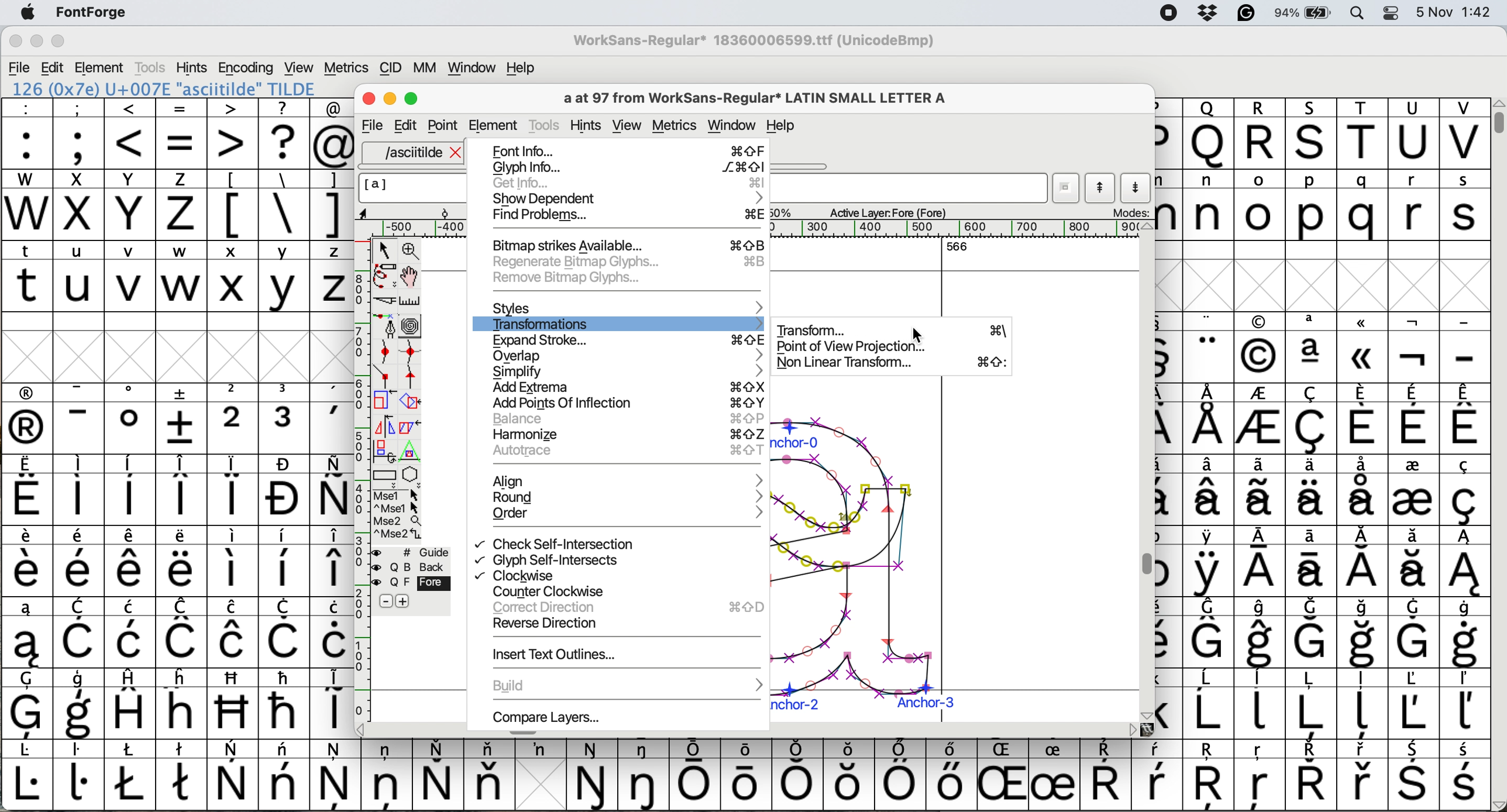 The image size is (1507, 812). Describe the element at coordinates (1312, 347) in the screenshot. I see `symbol` at that location.